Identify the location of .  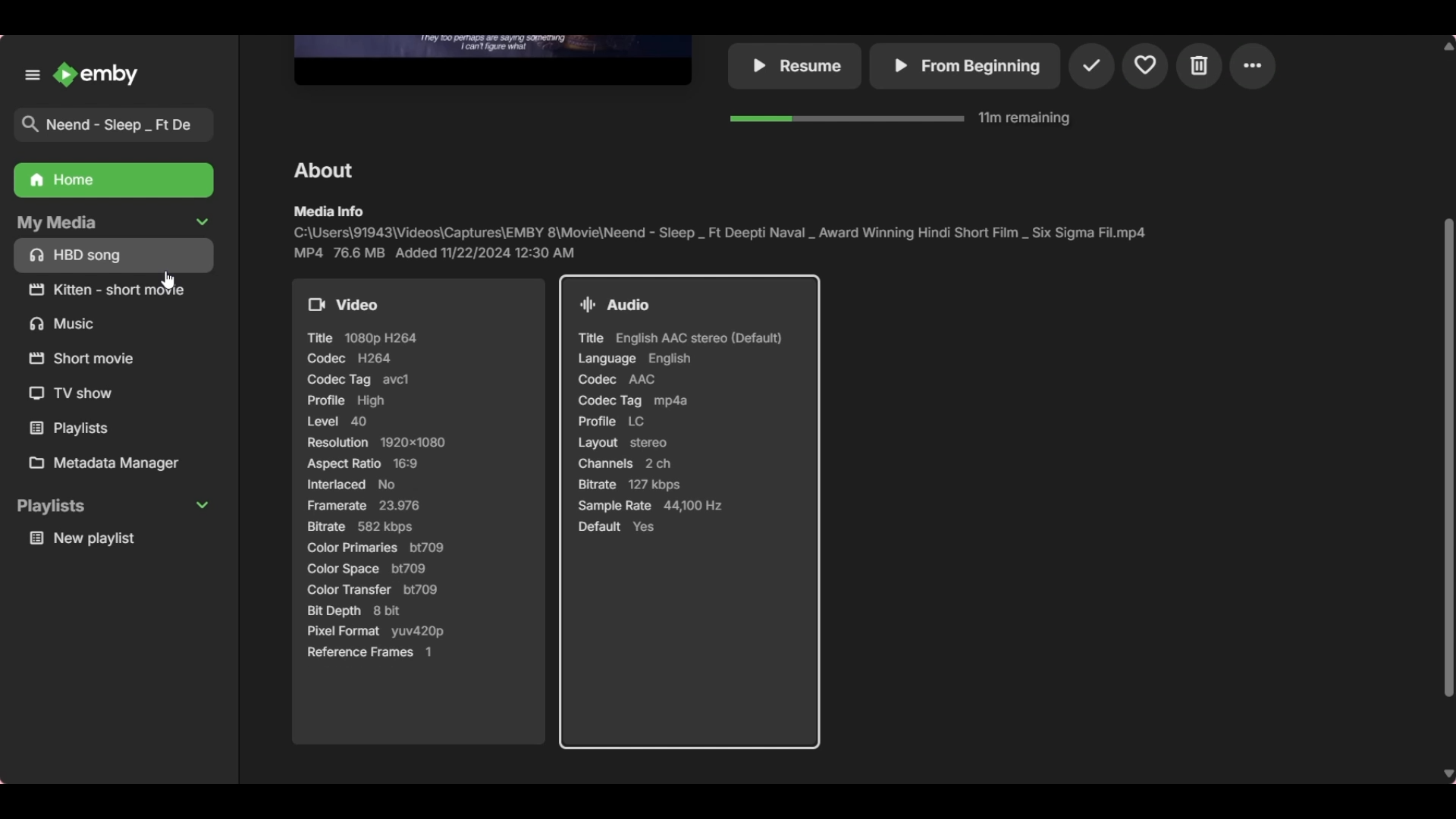
(117, 289).